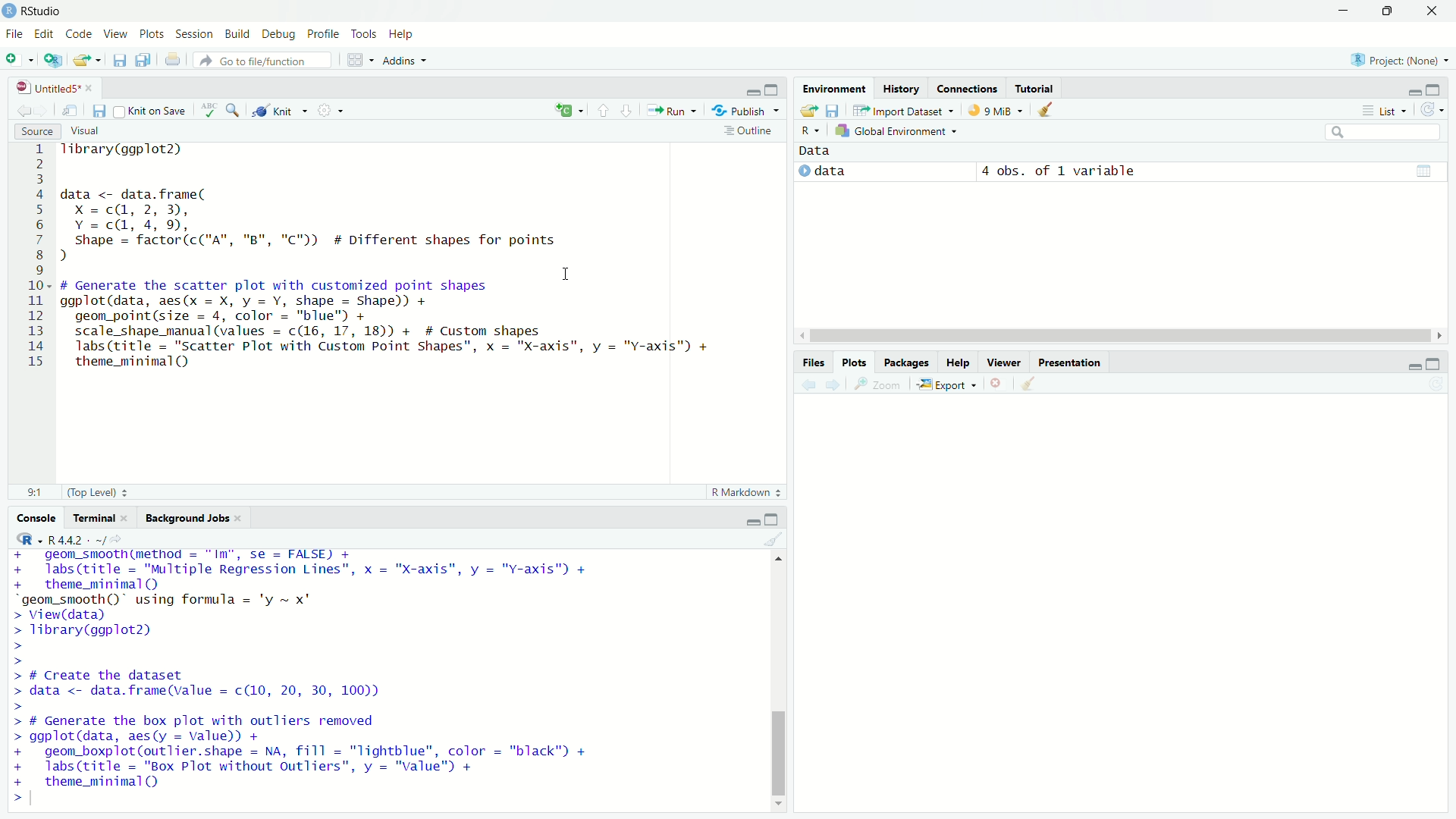 The image size is (1456, 819). Describe the element at coordinates (1121, 335) in the screenshot. I see `horizontal scroll bar` at that location.